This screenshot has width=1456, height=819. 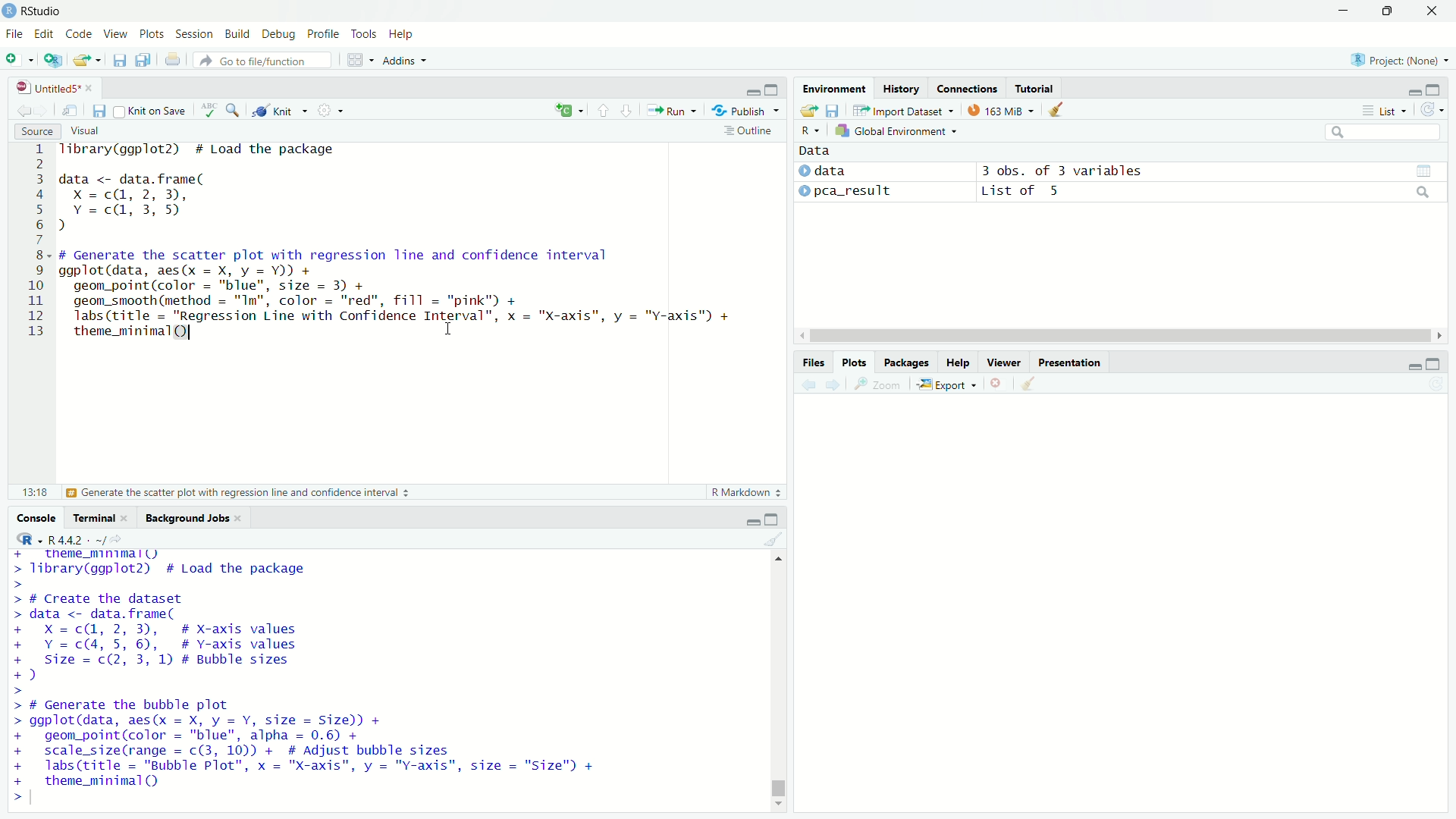 What do you see at coordinates (745, 492) in the screenshot?
I see `R Markdown` at bounding box center [745, 492].